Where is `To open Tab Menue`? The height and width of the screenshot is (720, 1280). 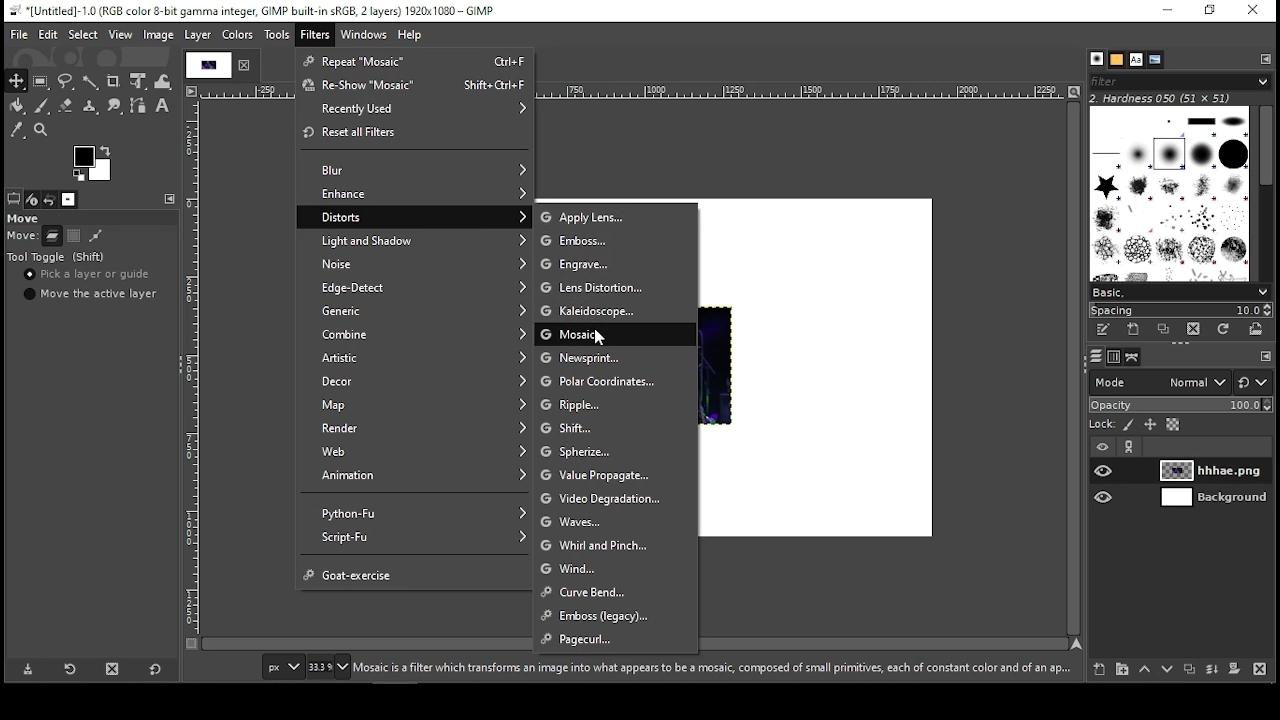 To open Tab Menue is located at coordinates (1265, 59).